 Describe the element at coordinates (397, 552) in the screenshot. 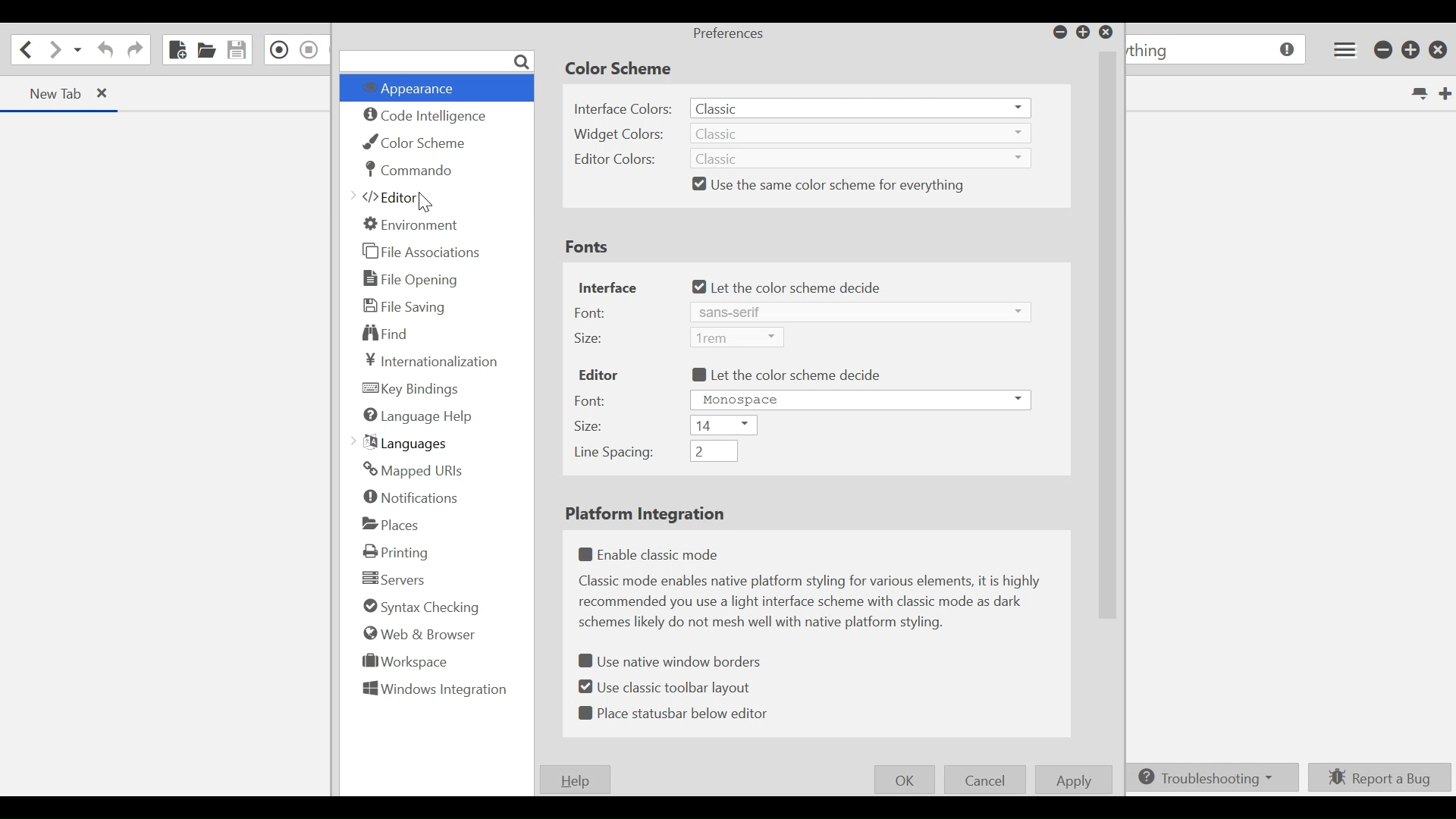

I see `Printing` at that location.